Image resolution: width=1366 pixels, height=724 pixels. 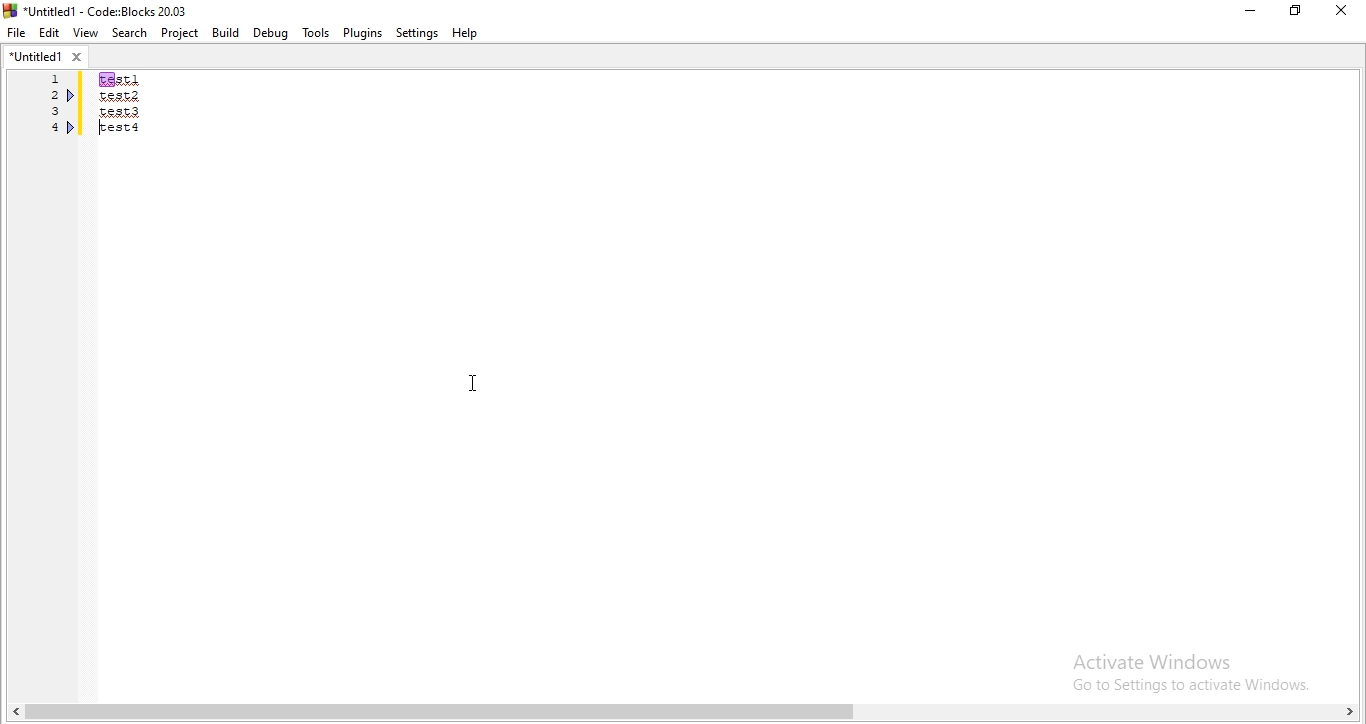 I want to click on Plugins , so click(x=365, y=32).